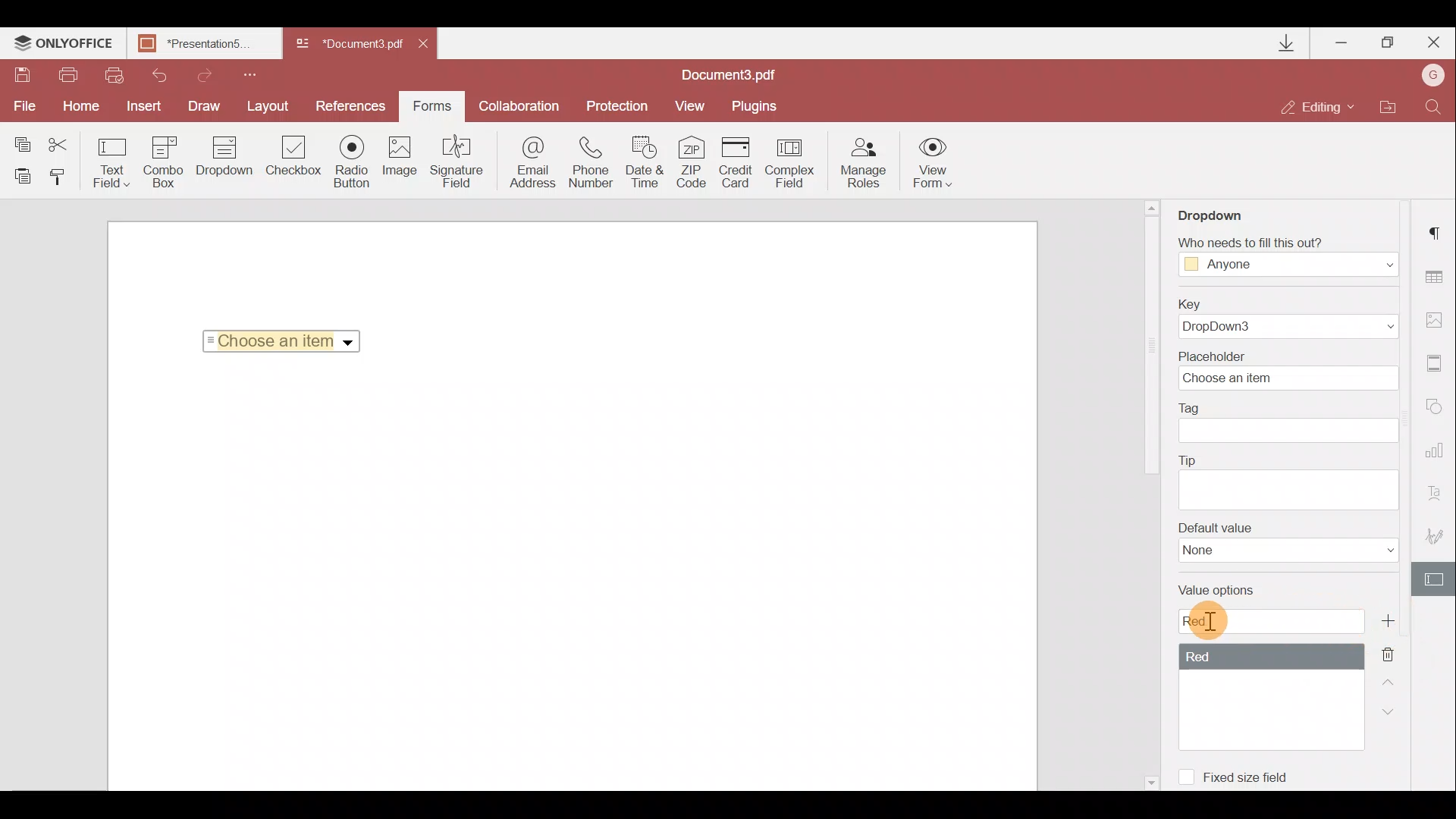  What do you see at coordinates (1439, 231) in the screenshot?
I see `Paragraph settings` at bounding box center [1439, 231].